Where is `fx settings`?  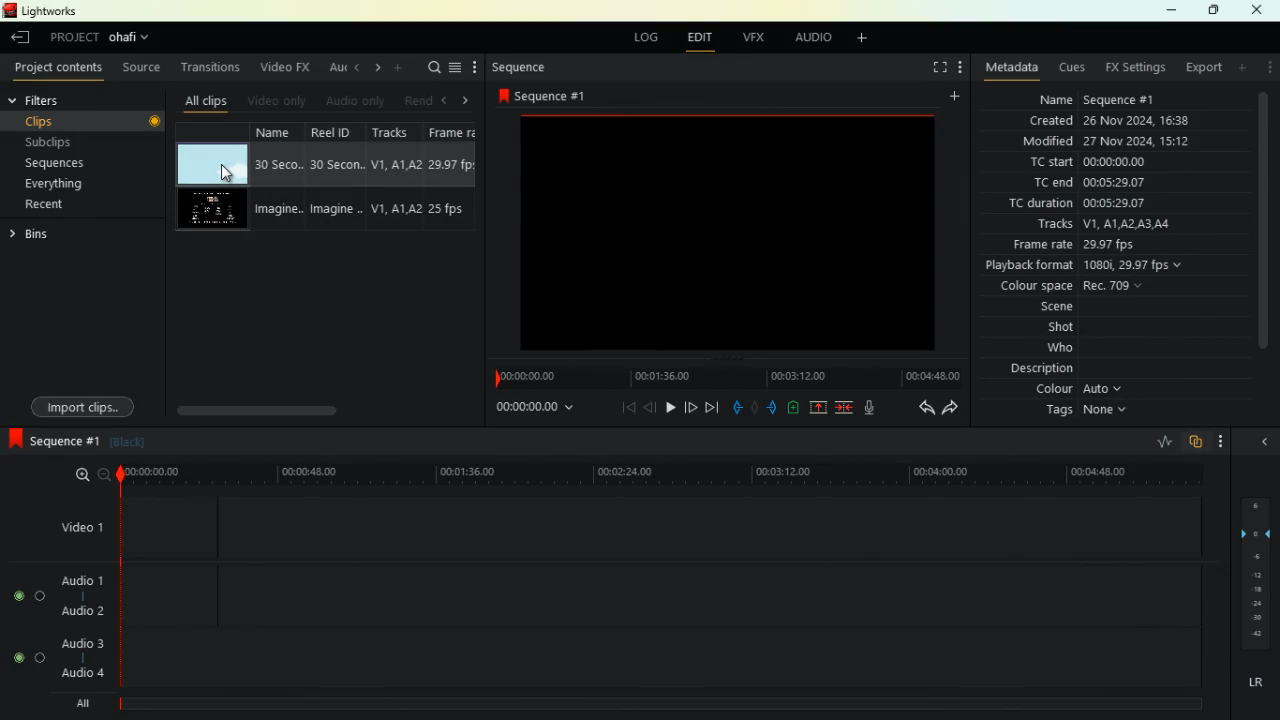 fx settings is located at coordinates (1130, 68).